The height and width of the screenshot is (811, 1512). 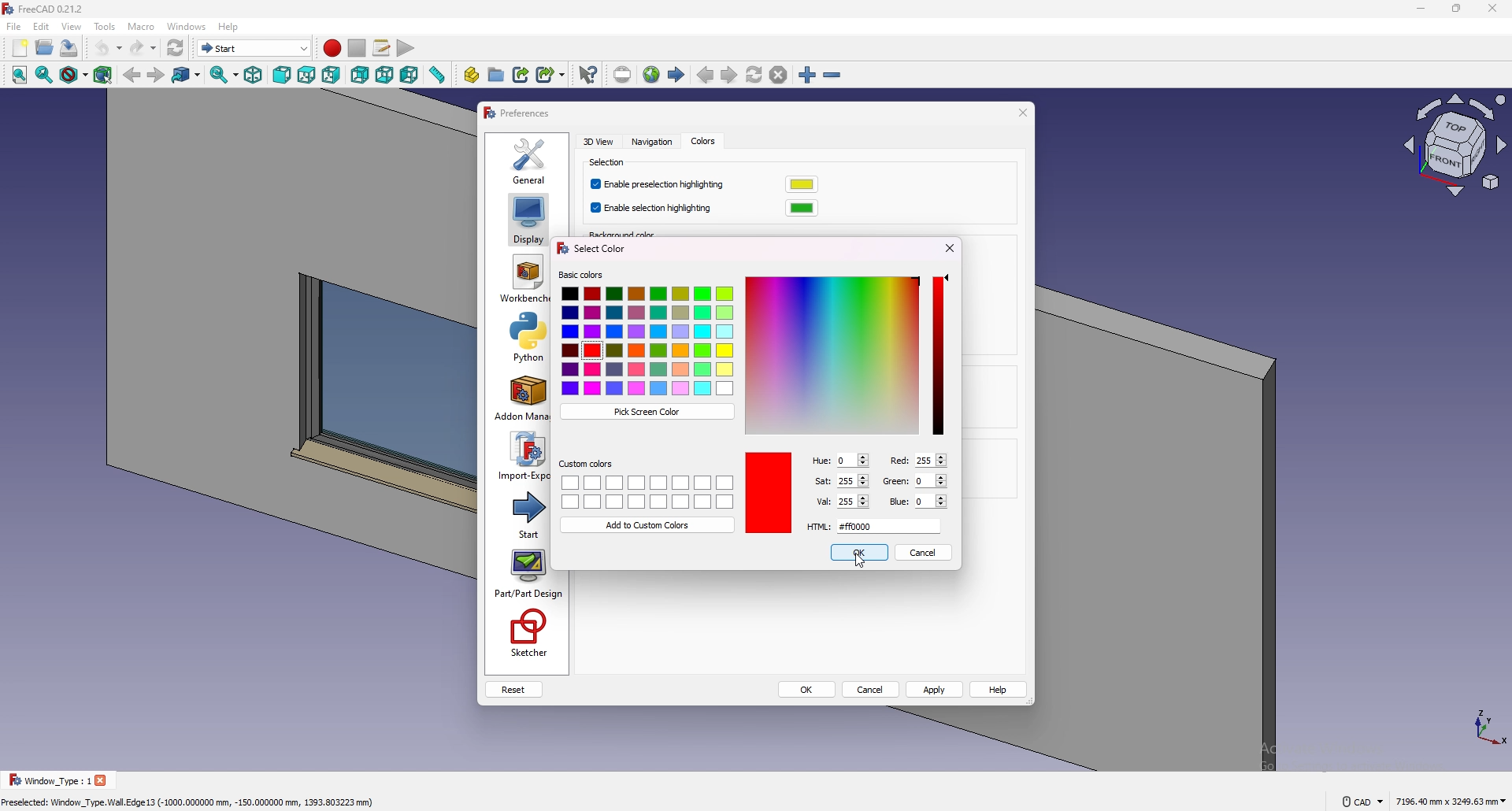 I want to click on windows, so click(x=187, y=26).